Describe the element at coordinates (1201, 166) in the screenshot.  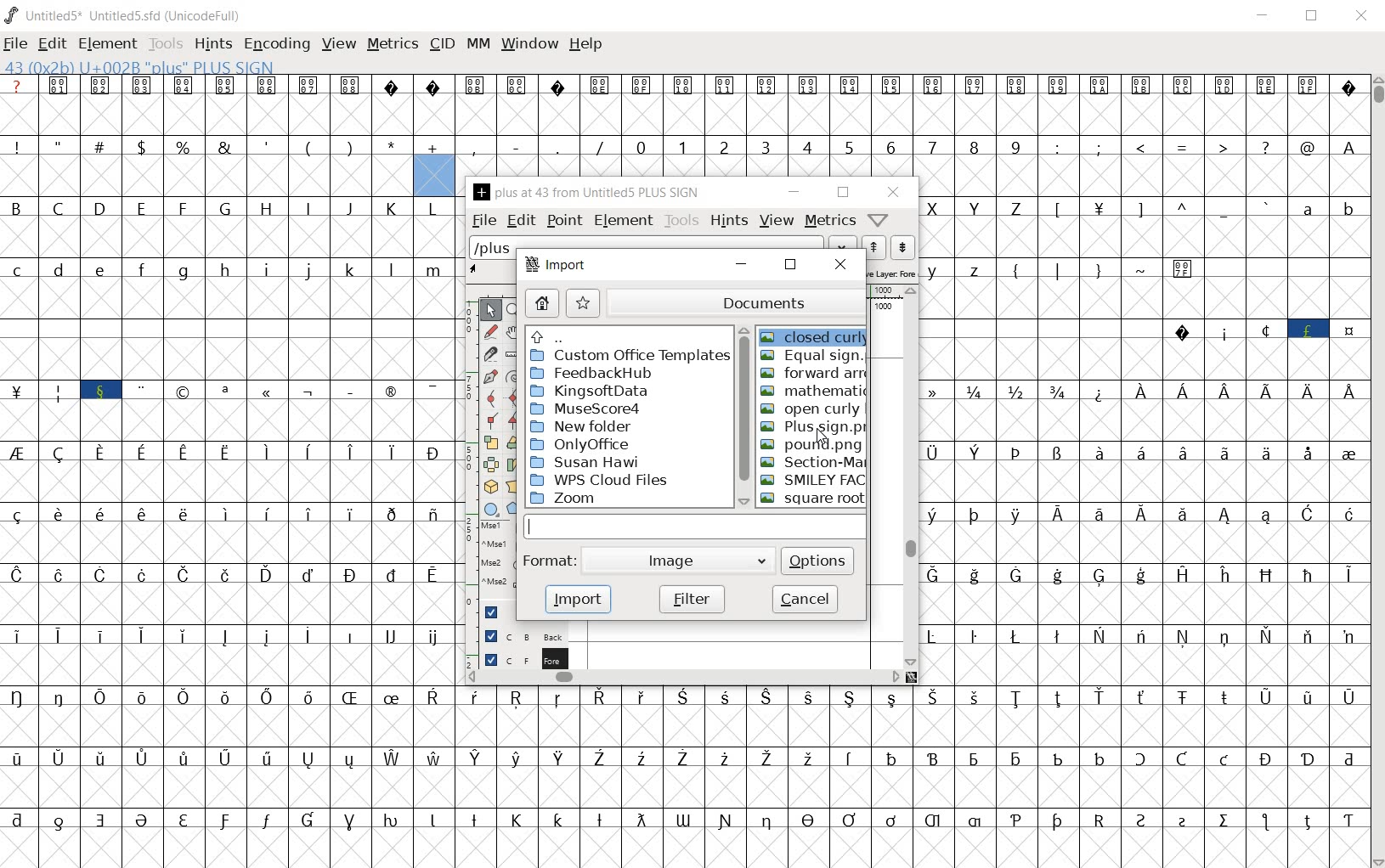
I see `ado de Lo LL 3 Lf LB LA` at that location.